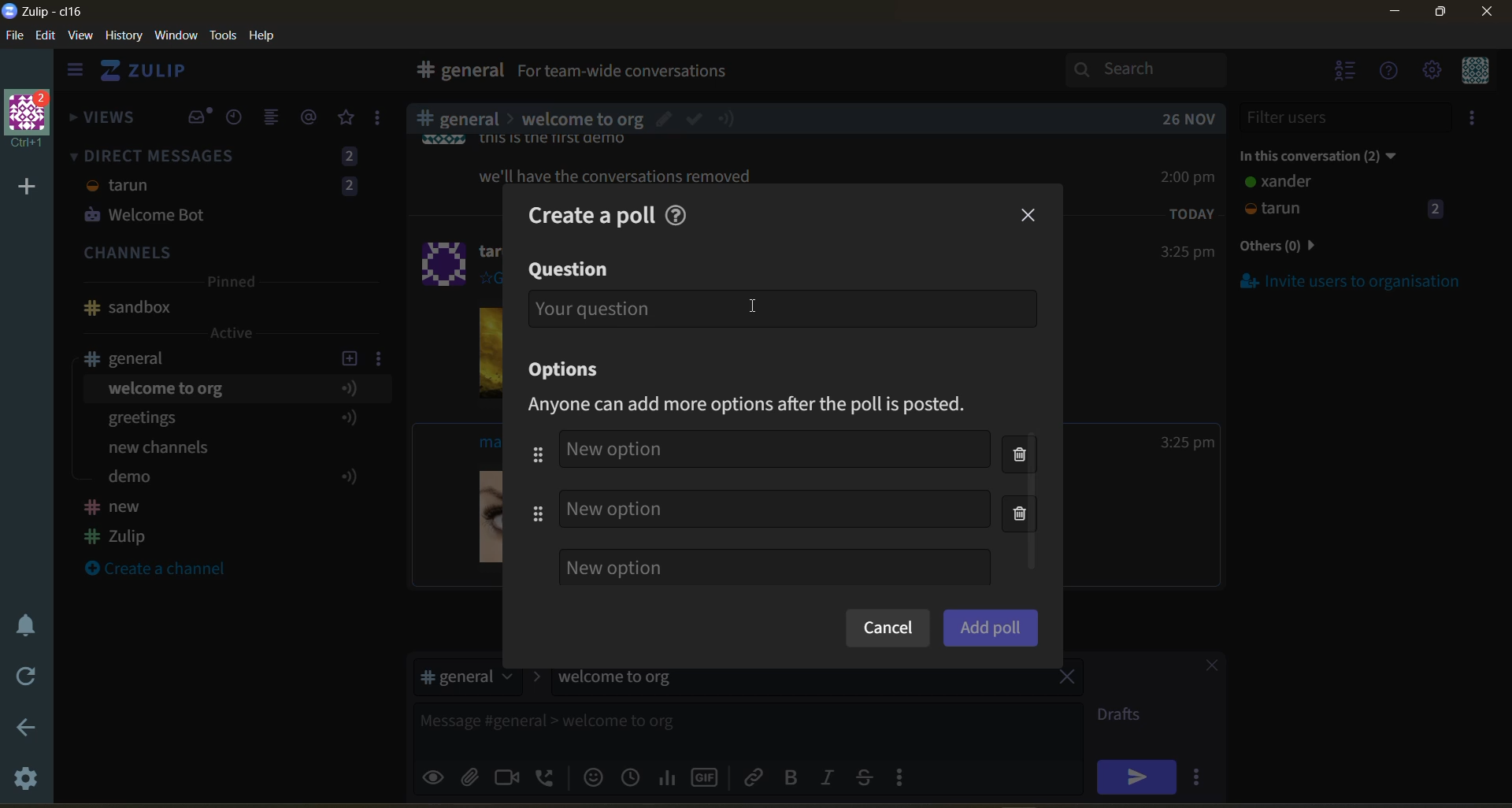 This screenshot has height=808, width=1512. Describe the element at coordinates (1335, 153) in the screenshot. I see `in this conversation` at that location.